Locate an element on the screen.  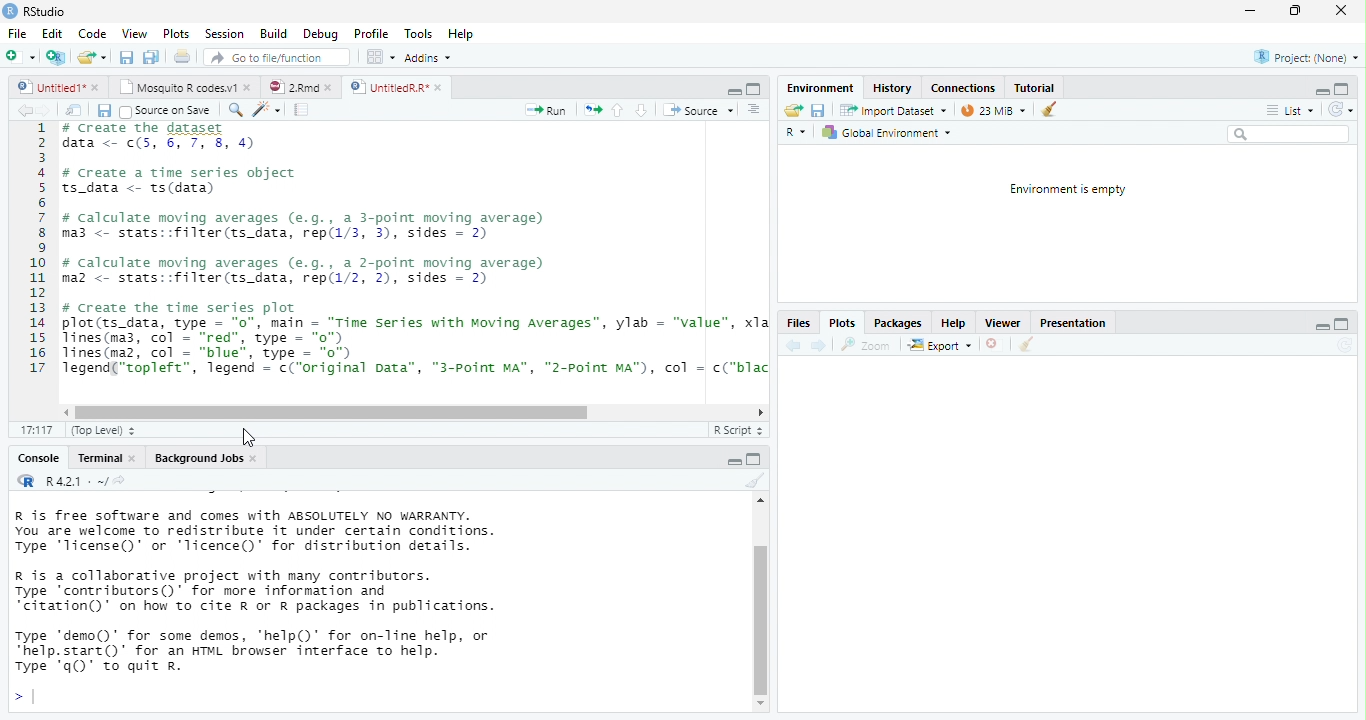
Files is located at coordinates (797, 324).